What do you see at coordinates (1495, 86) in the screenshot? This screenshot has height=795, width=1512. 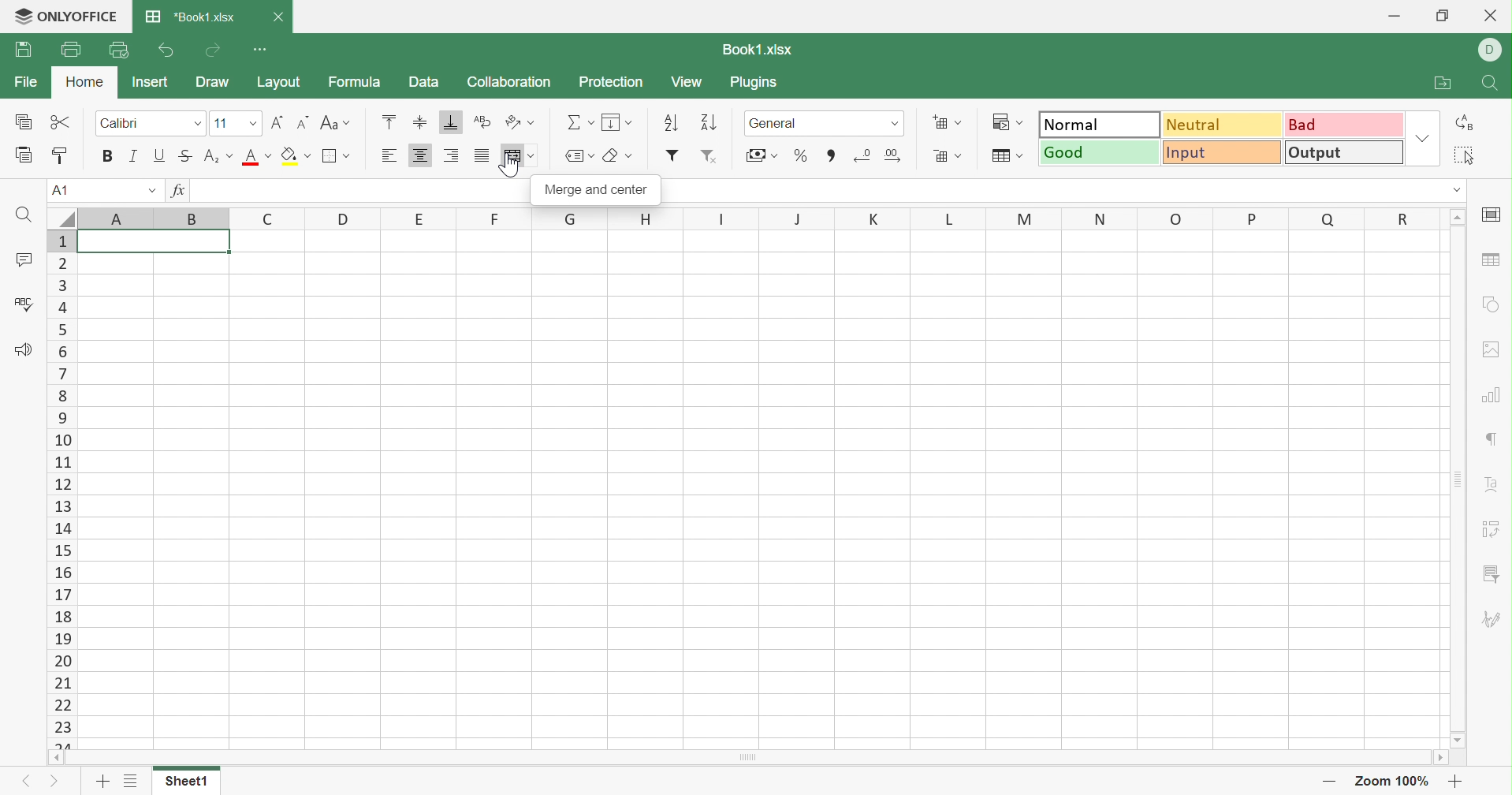 I see `Find` at bounding box center [1495, 86].